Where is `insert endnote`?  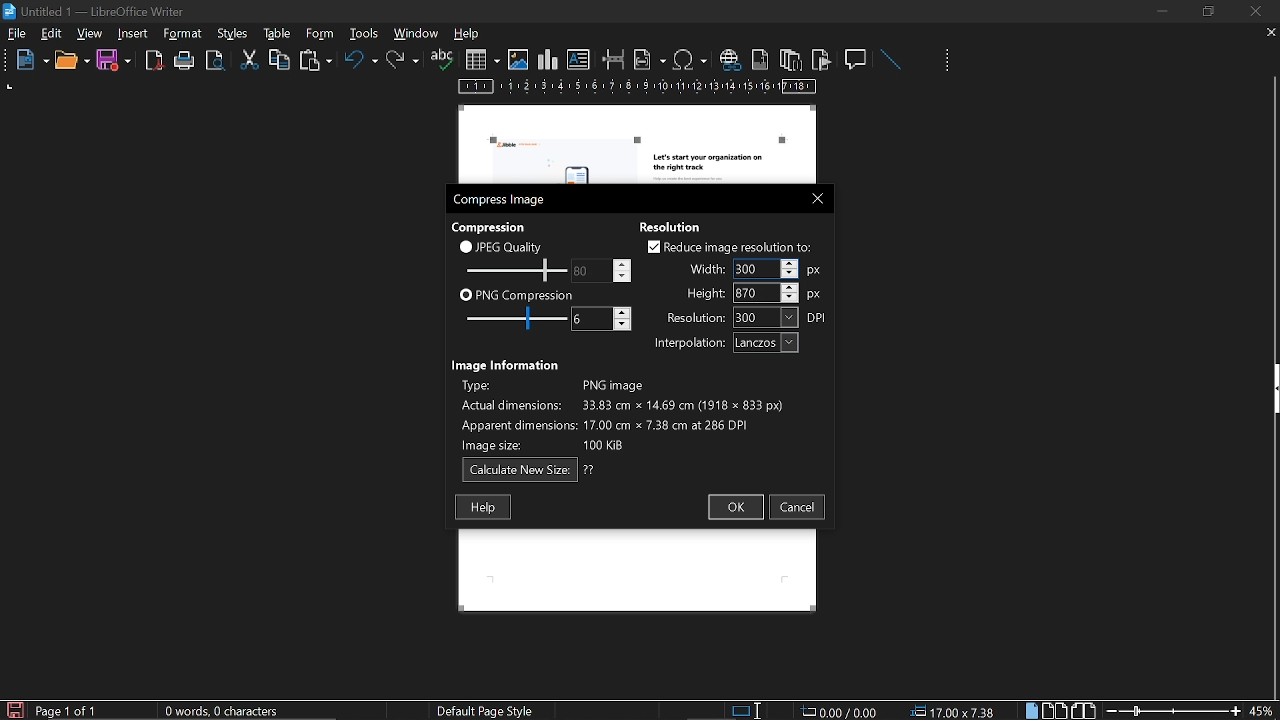 insert endnote is located at coordinates (790, 59).